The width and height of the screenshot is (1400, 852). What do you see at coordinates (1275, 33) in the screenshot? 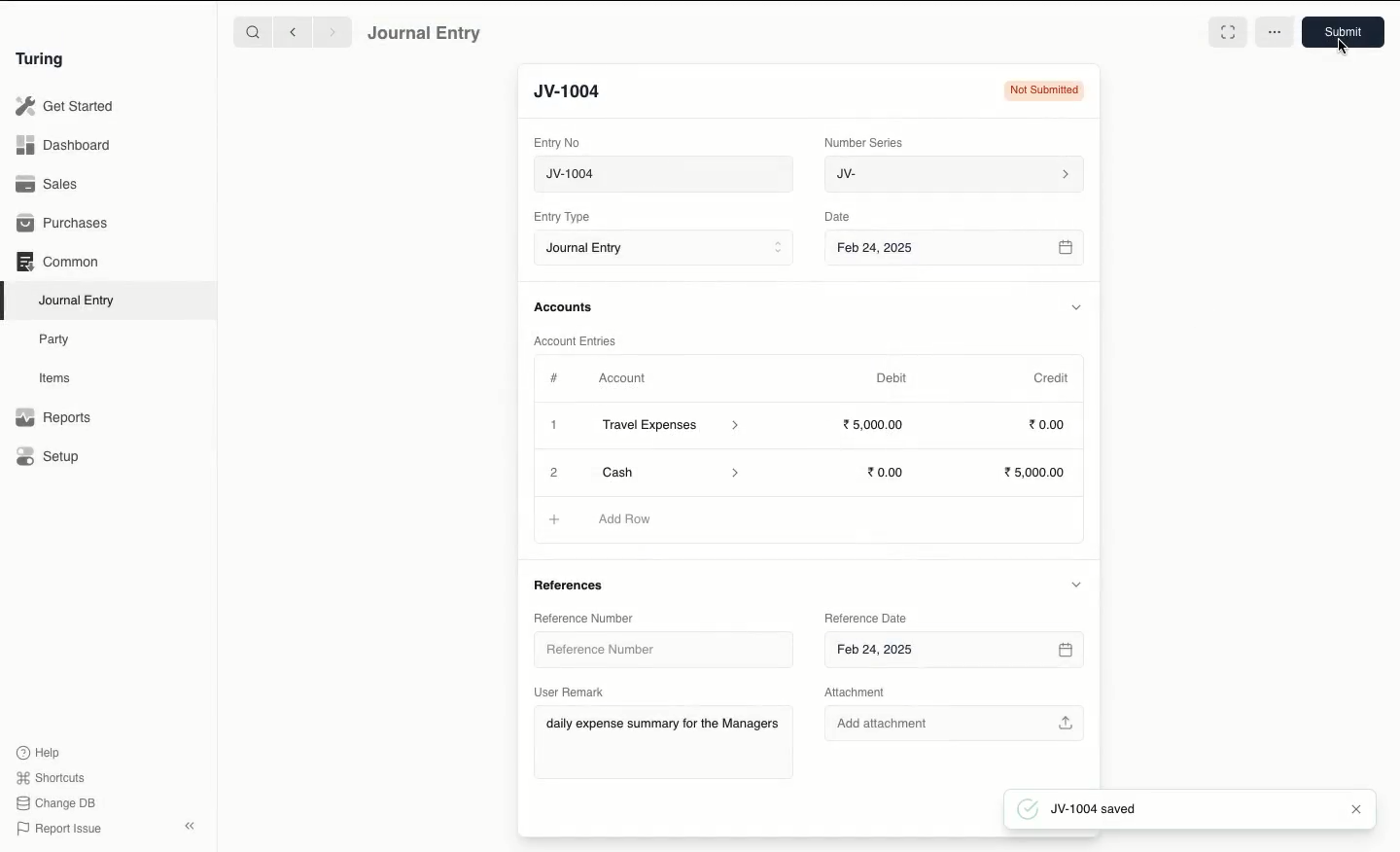
I see `More options` at bounding box center [1275, 33].